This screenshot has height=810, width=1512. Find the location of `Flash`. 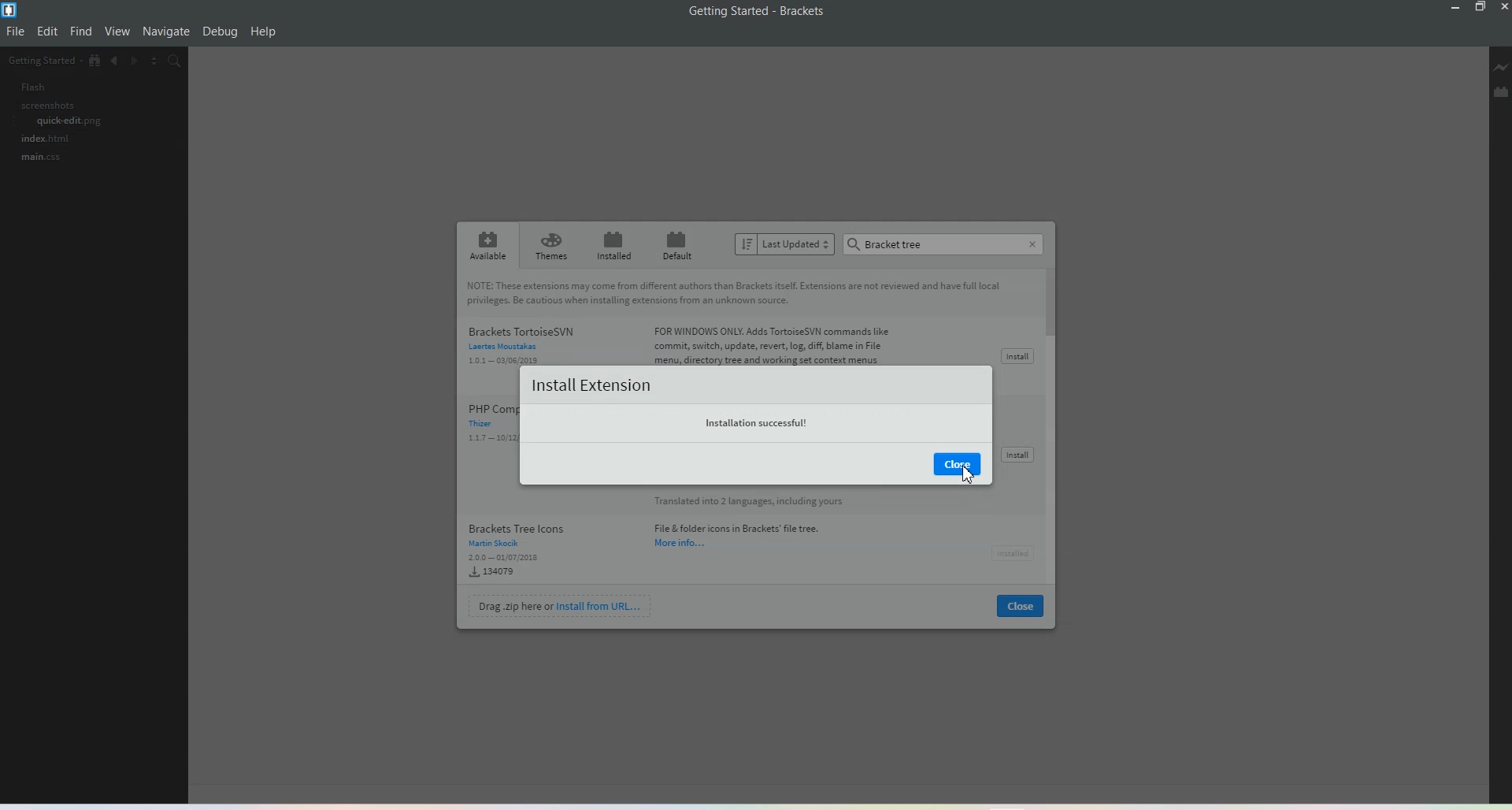

Flash is located at coordinates (24, 87).